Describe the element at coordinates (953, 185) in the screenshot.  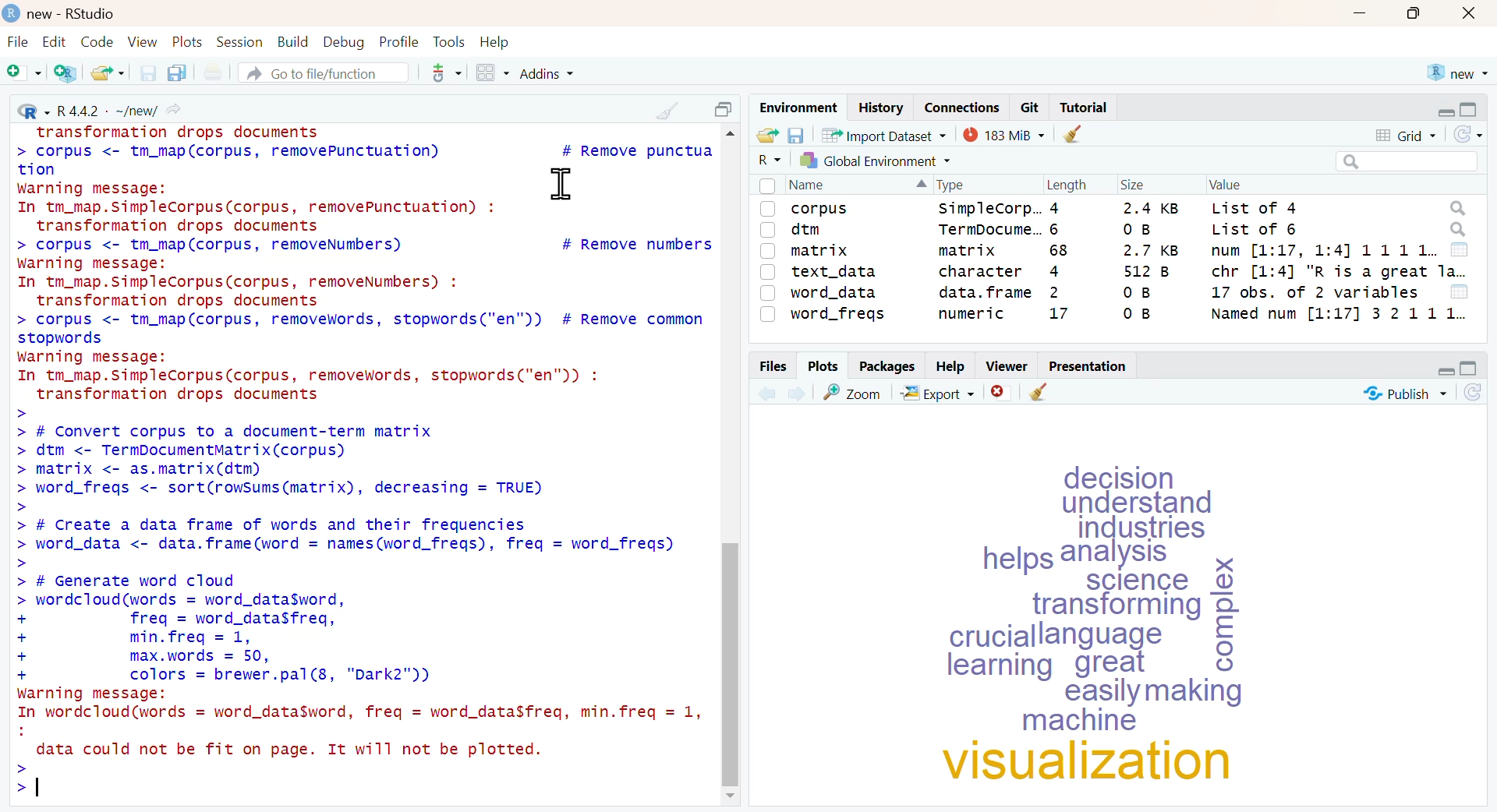
I see `Type` at that location.